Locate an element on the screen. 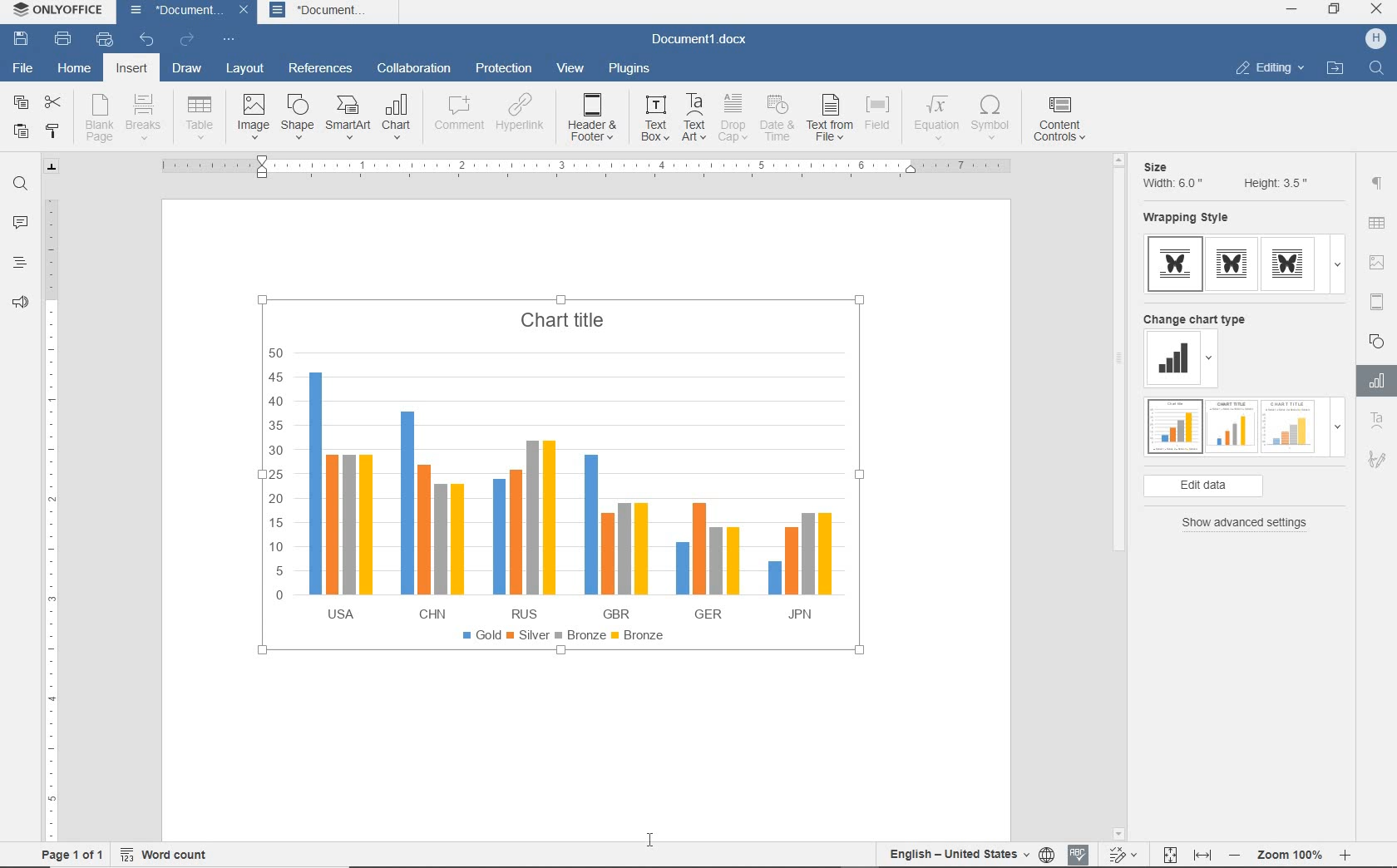 This screenshot has width=1397, height=868. table is located at coordinates (200, 117).